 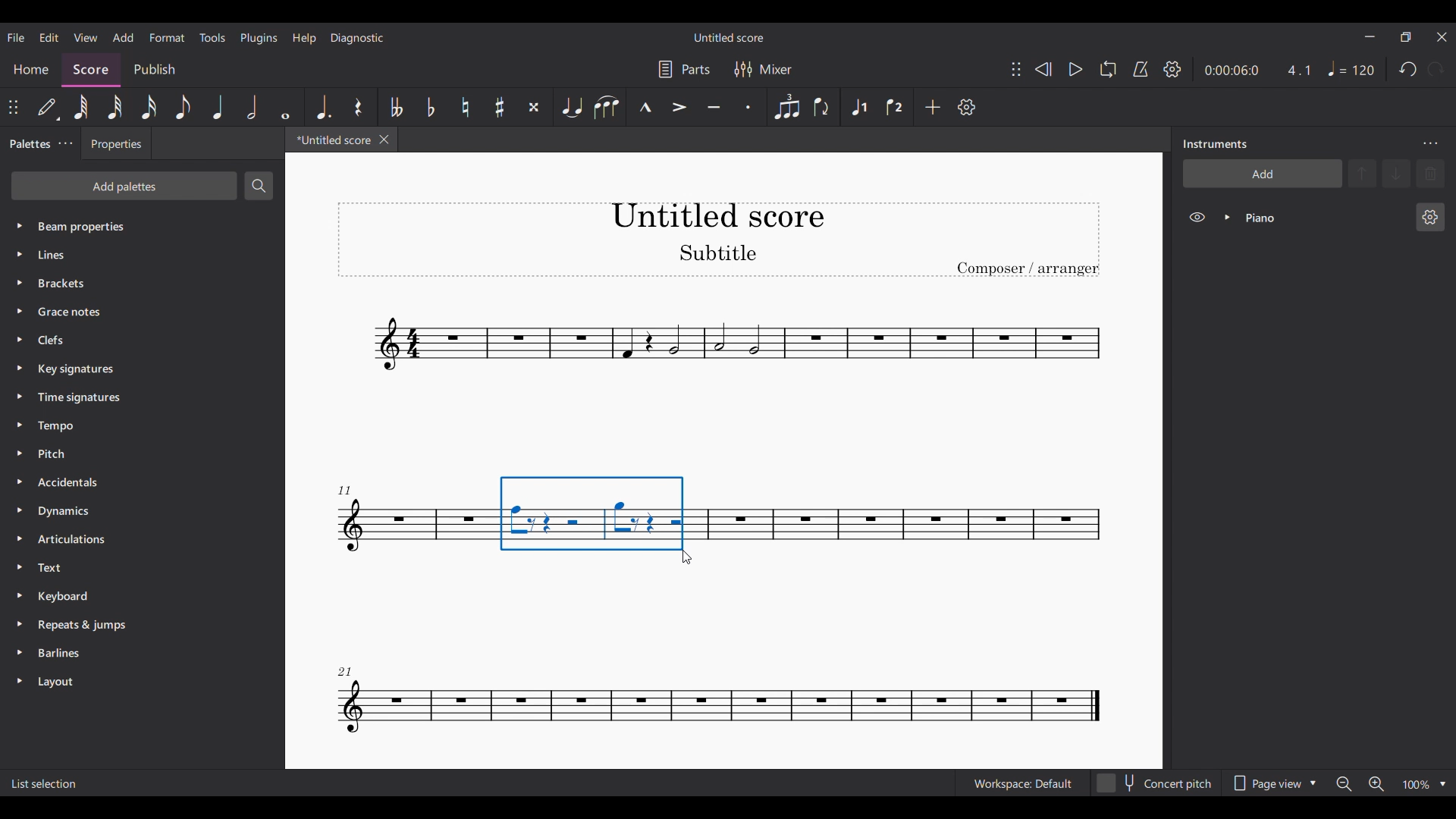 I want to click on Minimize, so click(x=1370, y=36).